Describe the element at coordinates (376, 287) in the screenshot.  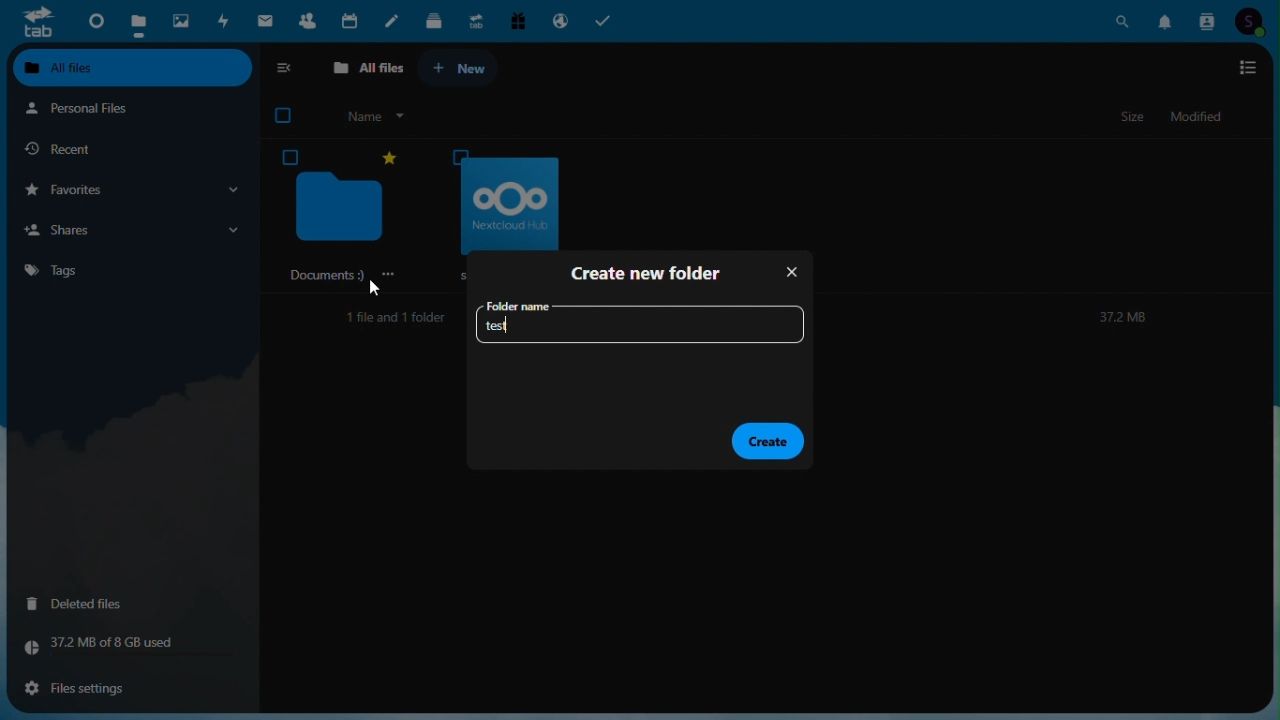
I see `cursor` at that location.